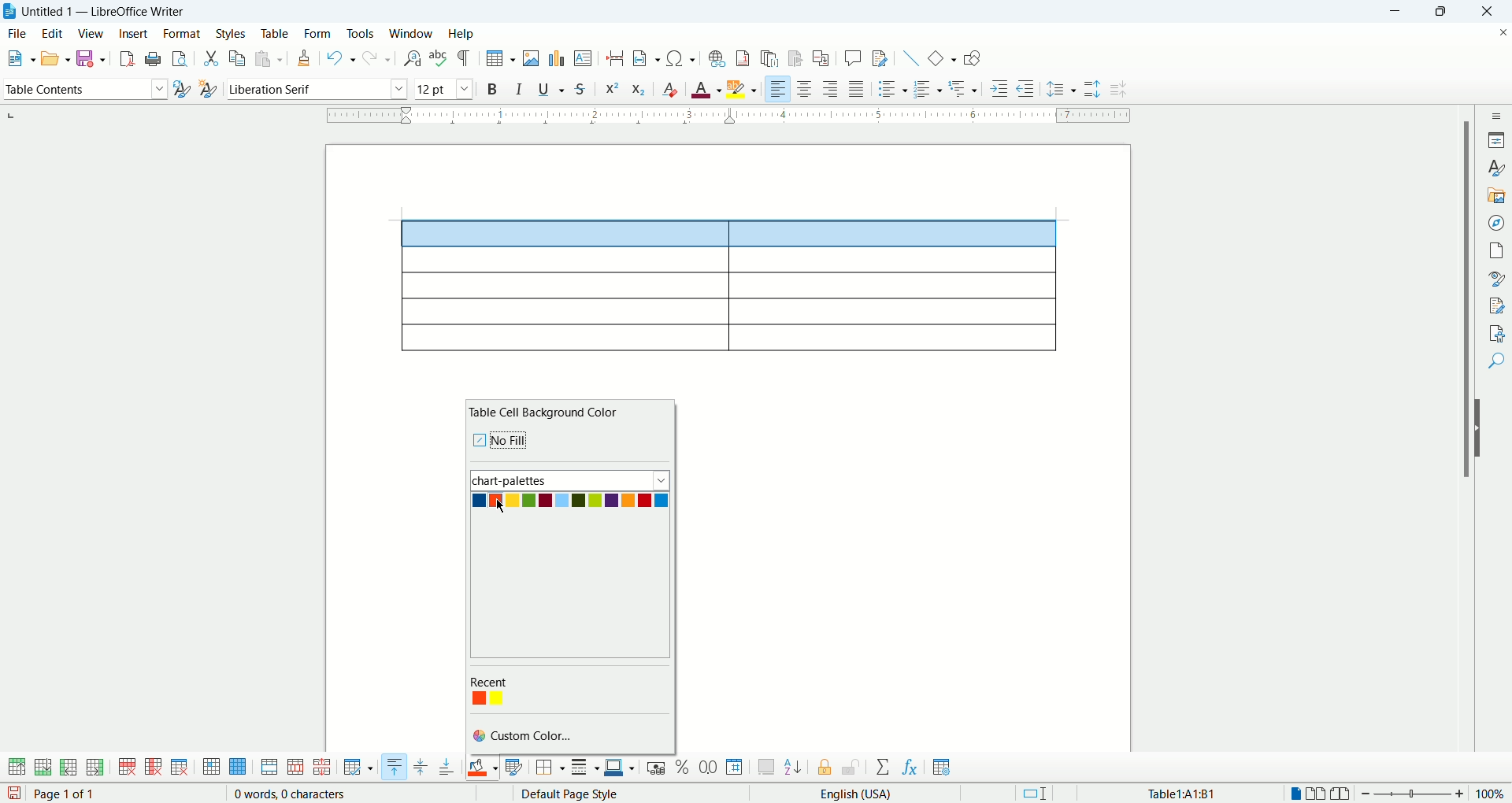  Describe the element at coordinates (532, 58) in the screenshot. I see `insert image` at that location.